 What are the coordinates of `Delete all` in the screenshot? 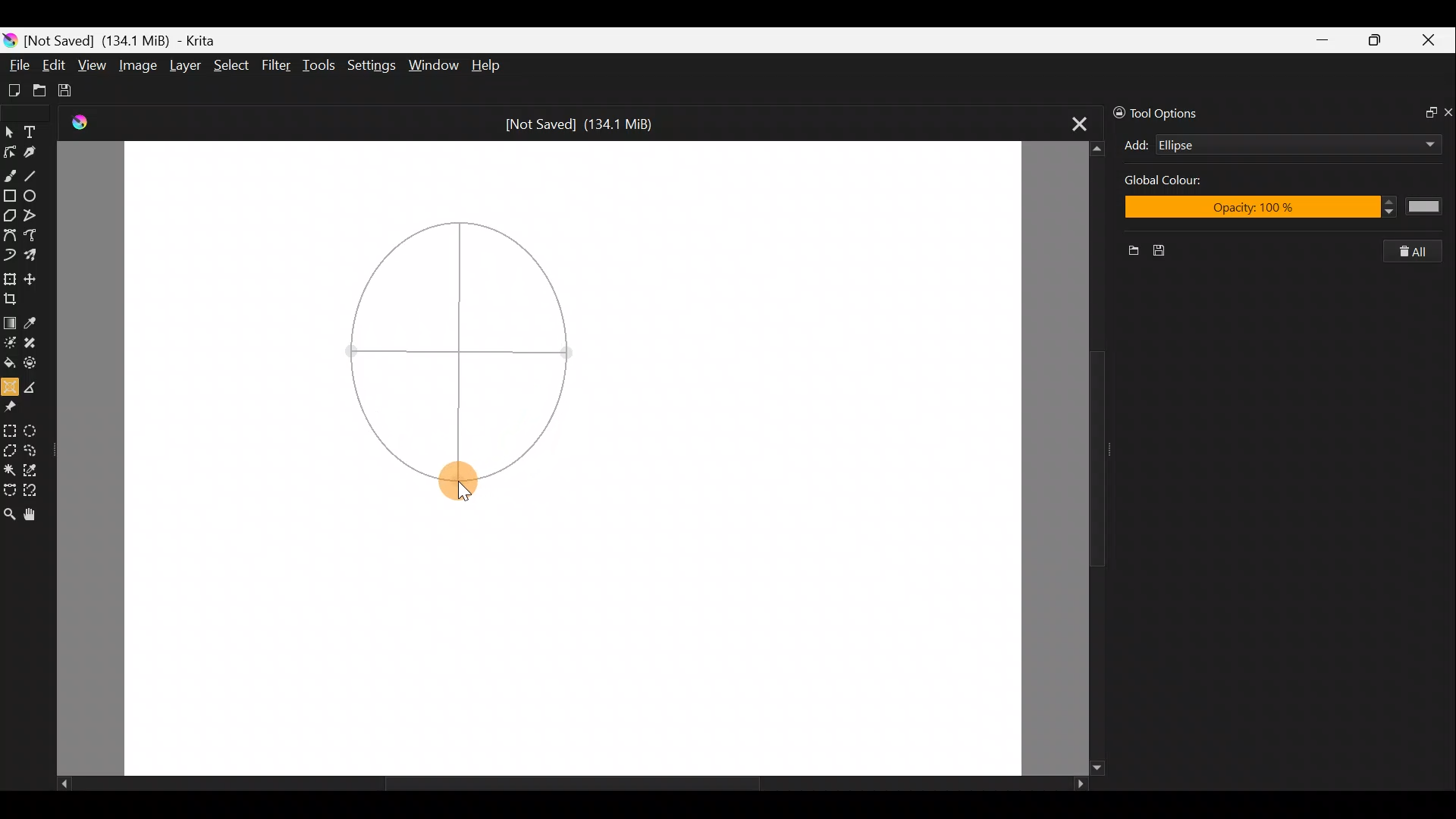 It's located at (1421, 252).